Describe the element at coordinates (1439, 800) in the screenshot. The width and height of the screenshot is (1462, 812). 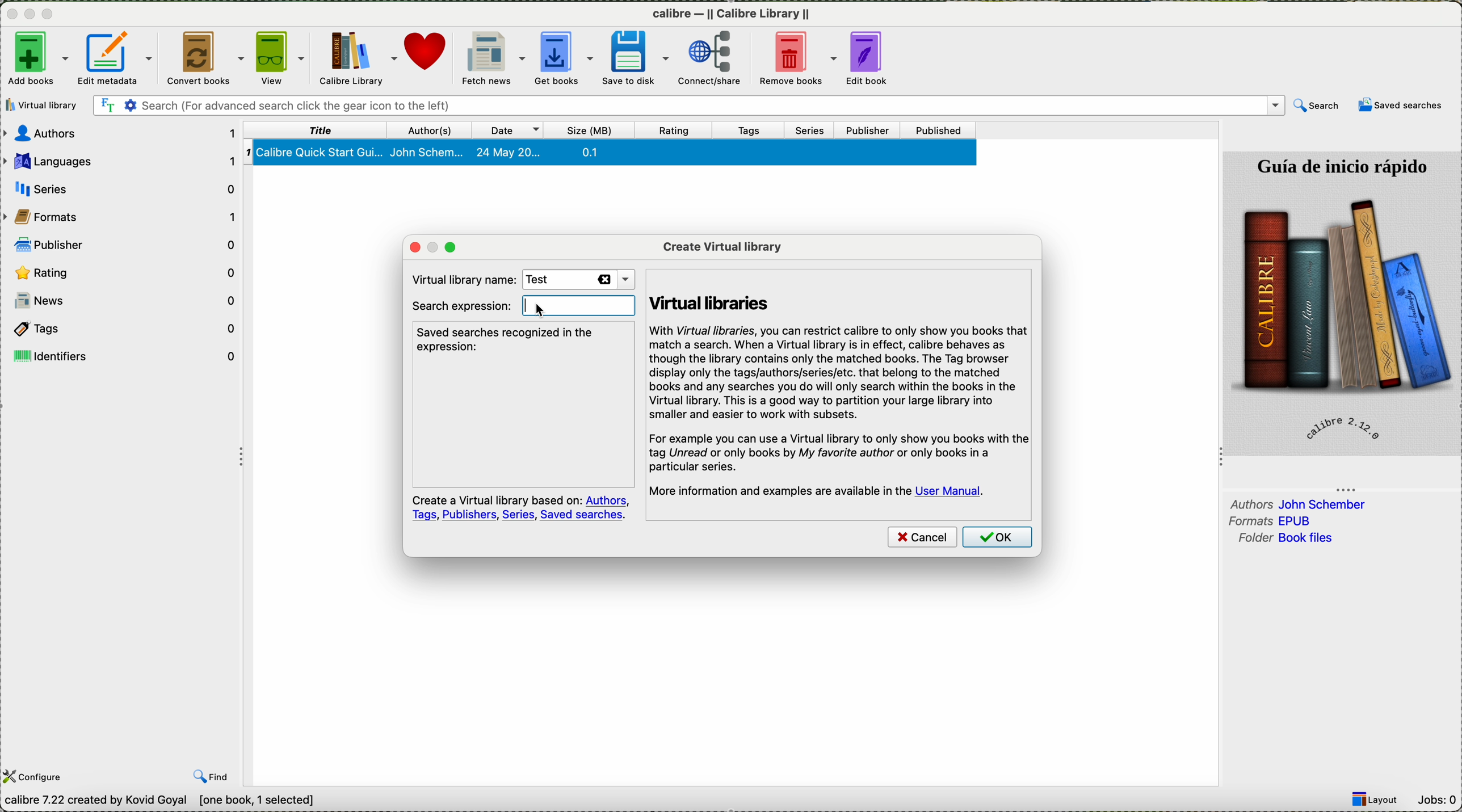
I see `Jobs: 0` at that location.